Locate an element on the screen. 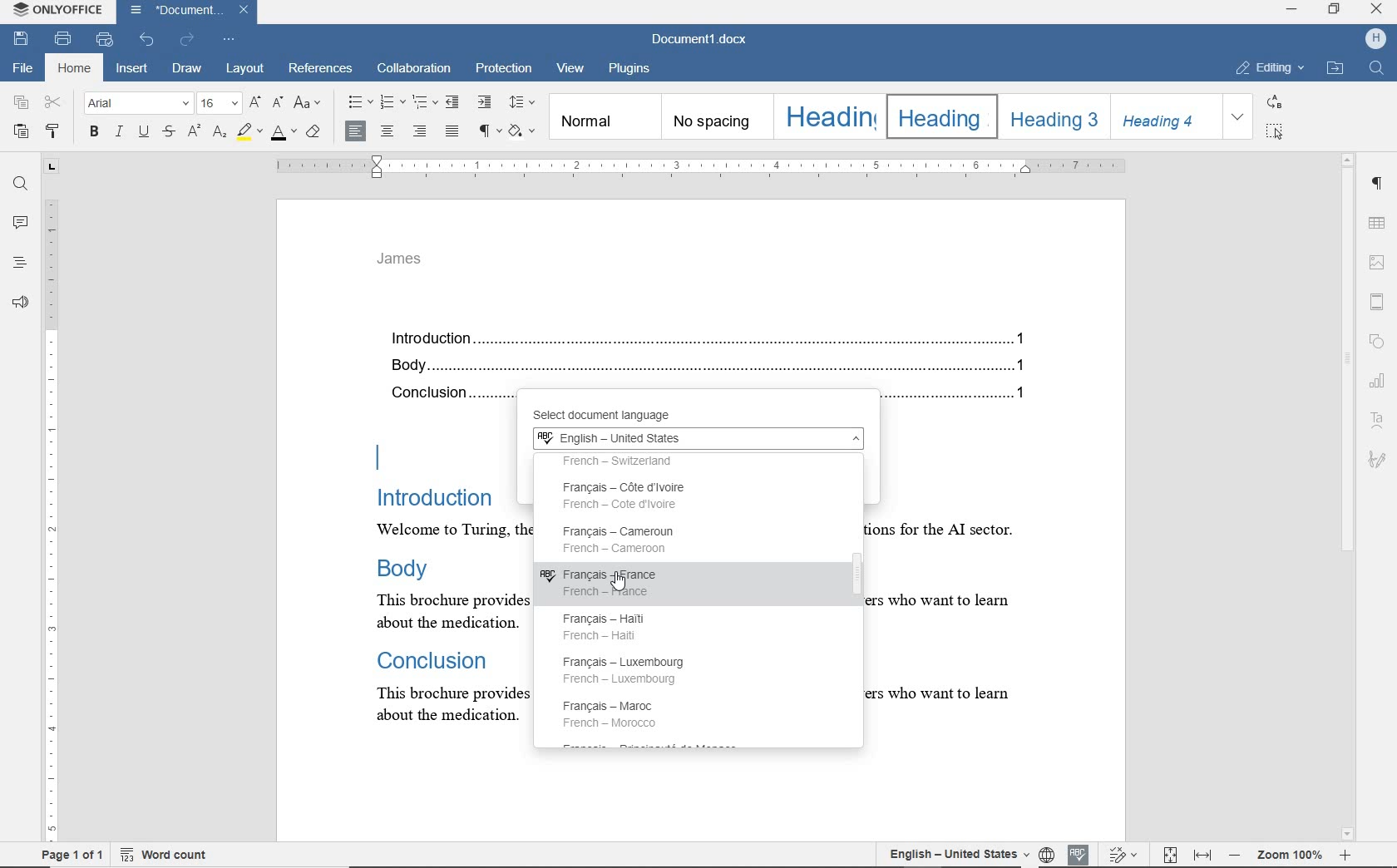  decrease indent is located at coordinates (454, 101).